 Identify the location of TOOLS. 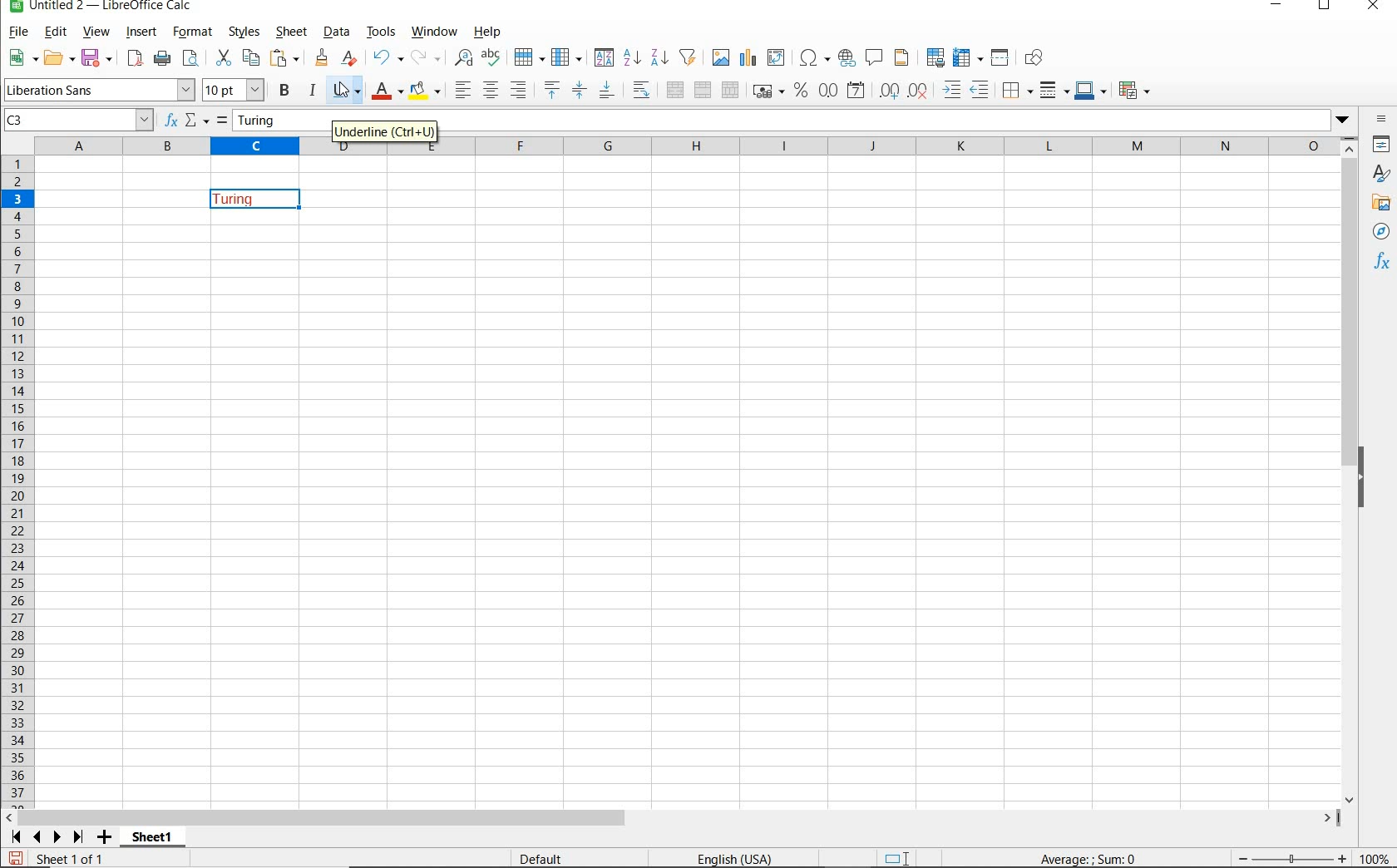
(379, 32).